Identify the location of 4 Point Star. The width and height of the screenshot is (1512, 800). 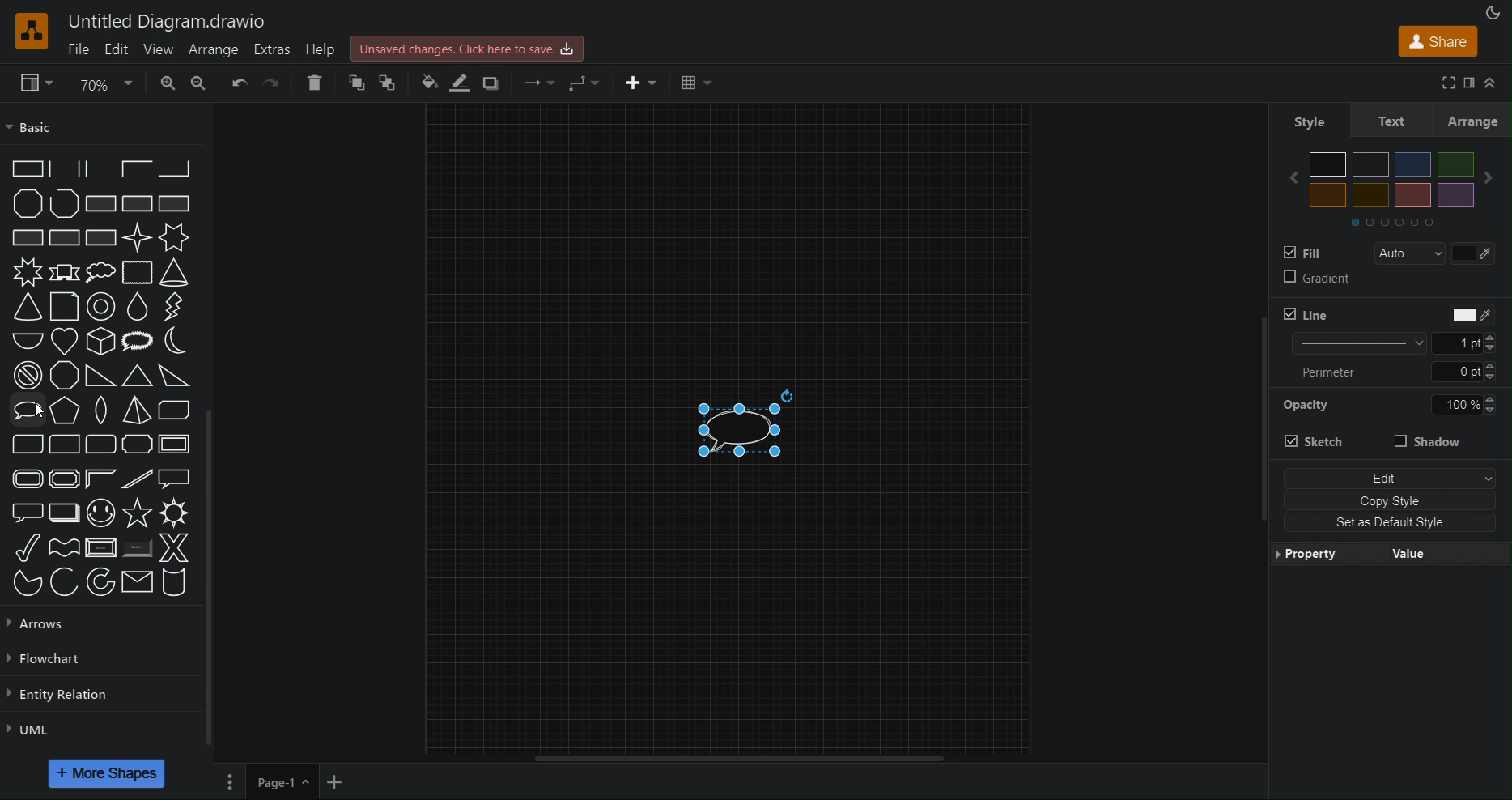
(138, 237).